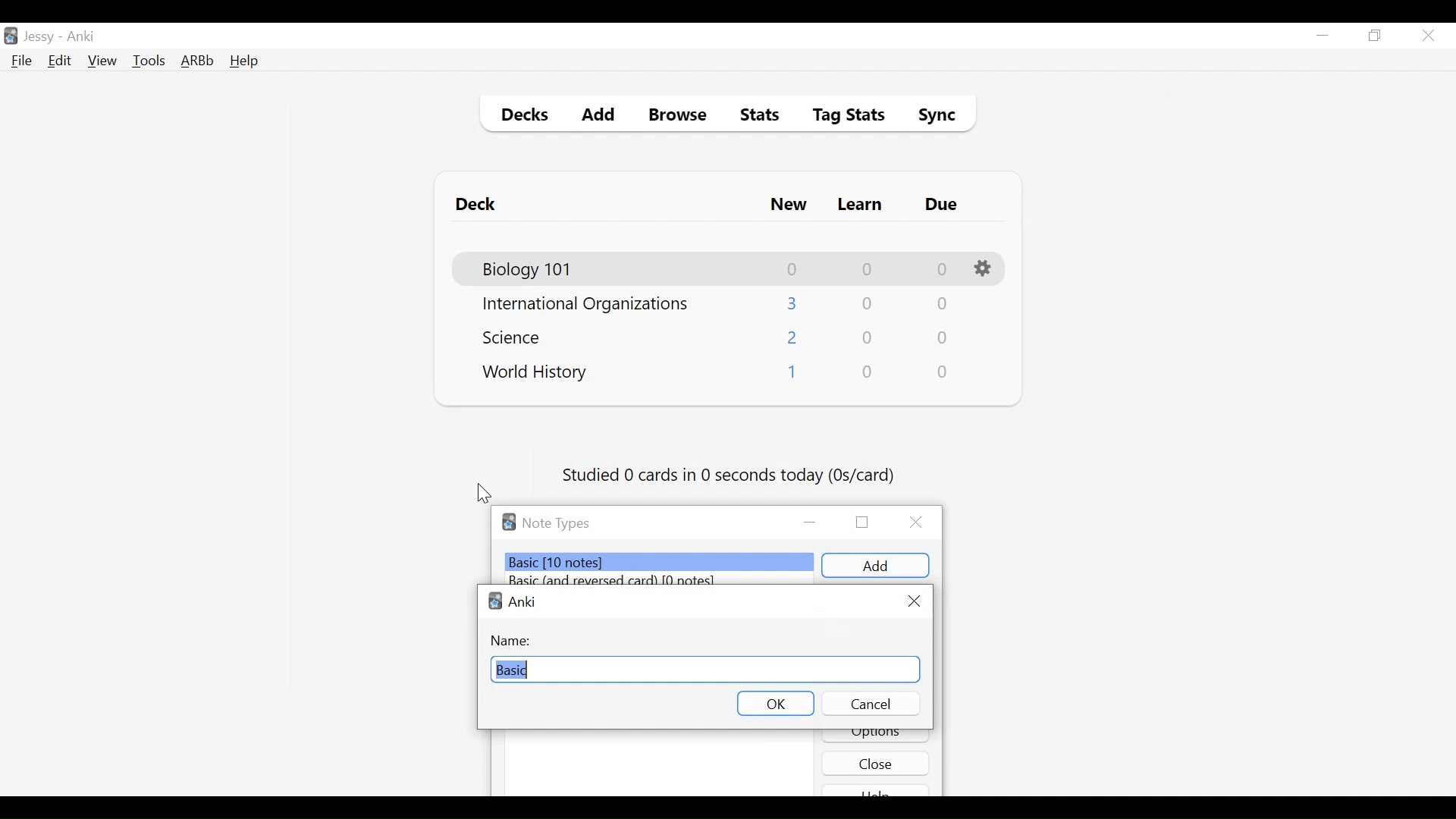 Image resolution: width=1456 pixels, height=819 pixels. What do you see at coordinates (22, 62) in the screenshot?
I see `File` at bounding box center [22, 62].